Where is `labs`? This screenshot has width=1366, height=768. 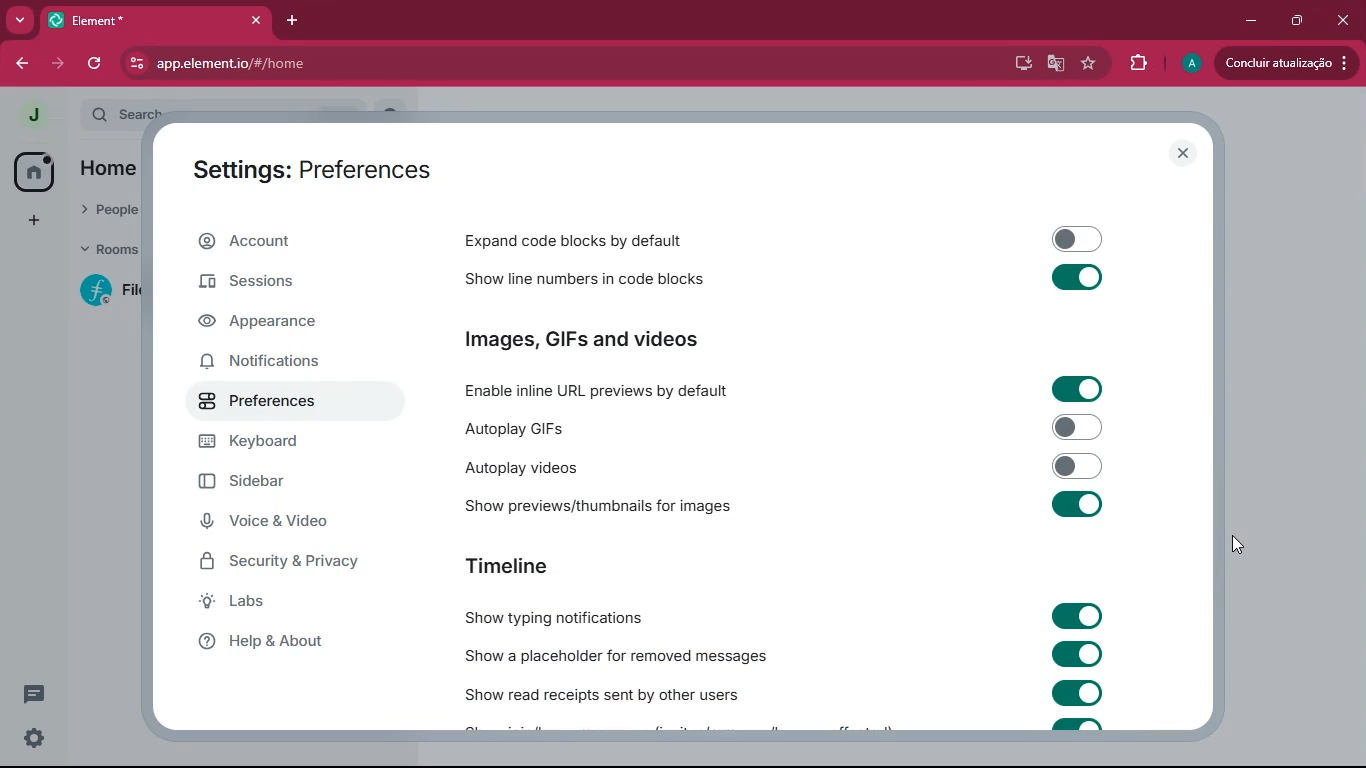 labs is located at coordinates (270, 603).